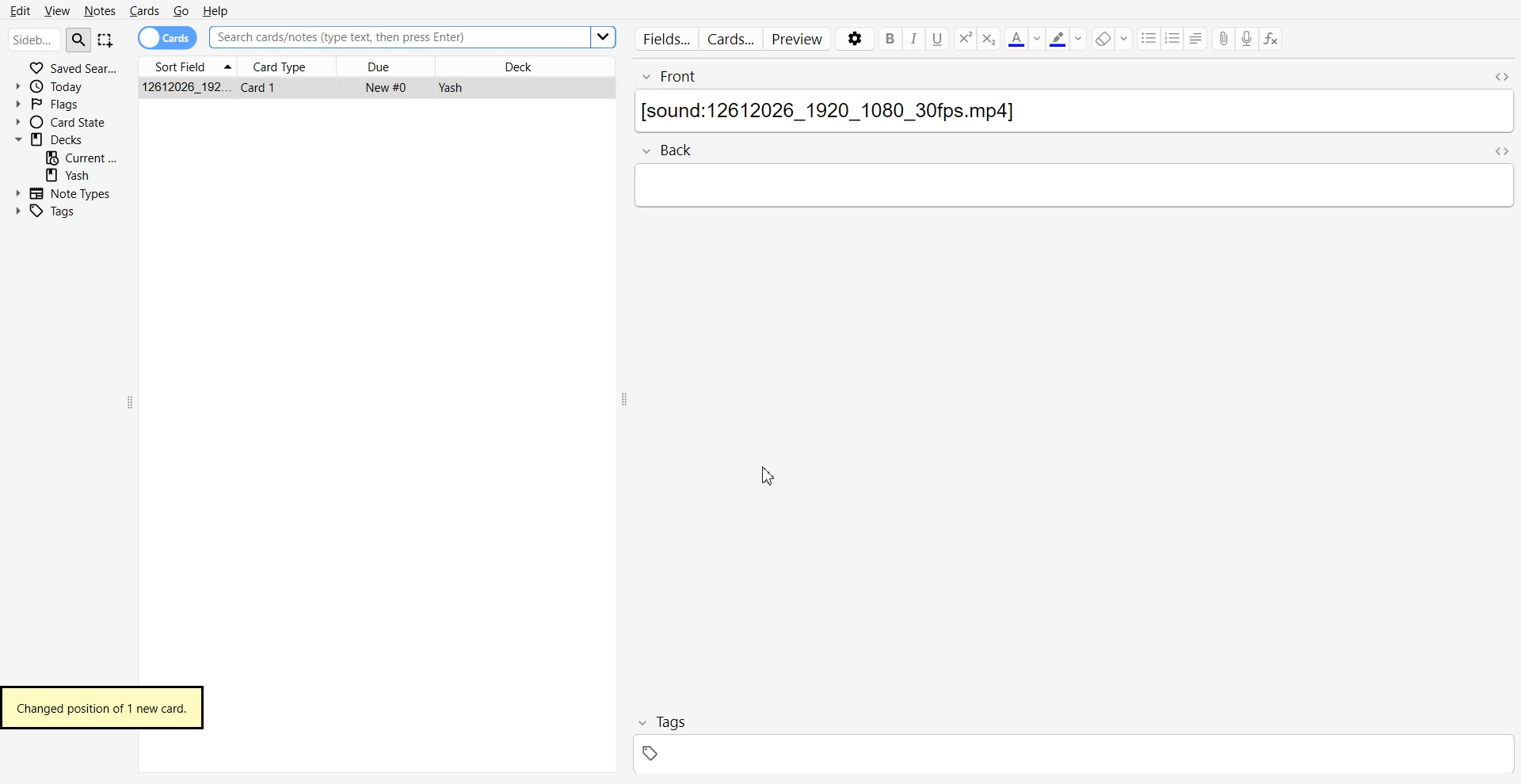 The image size is (1521, 784). I want to click on Cards, so click(145, 10).